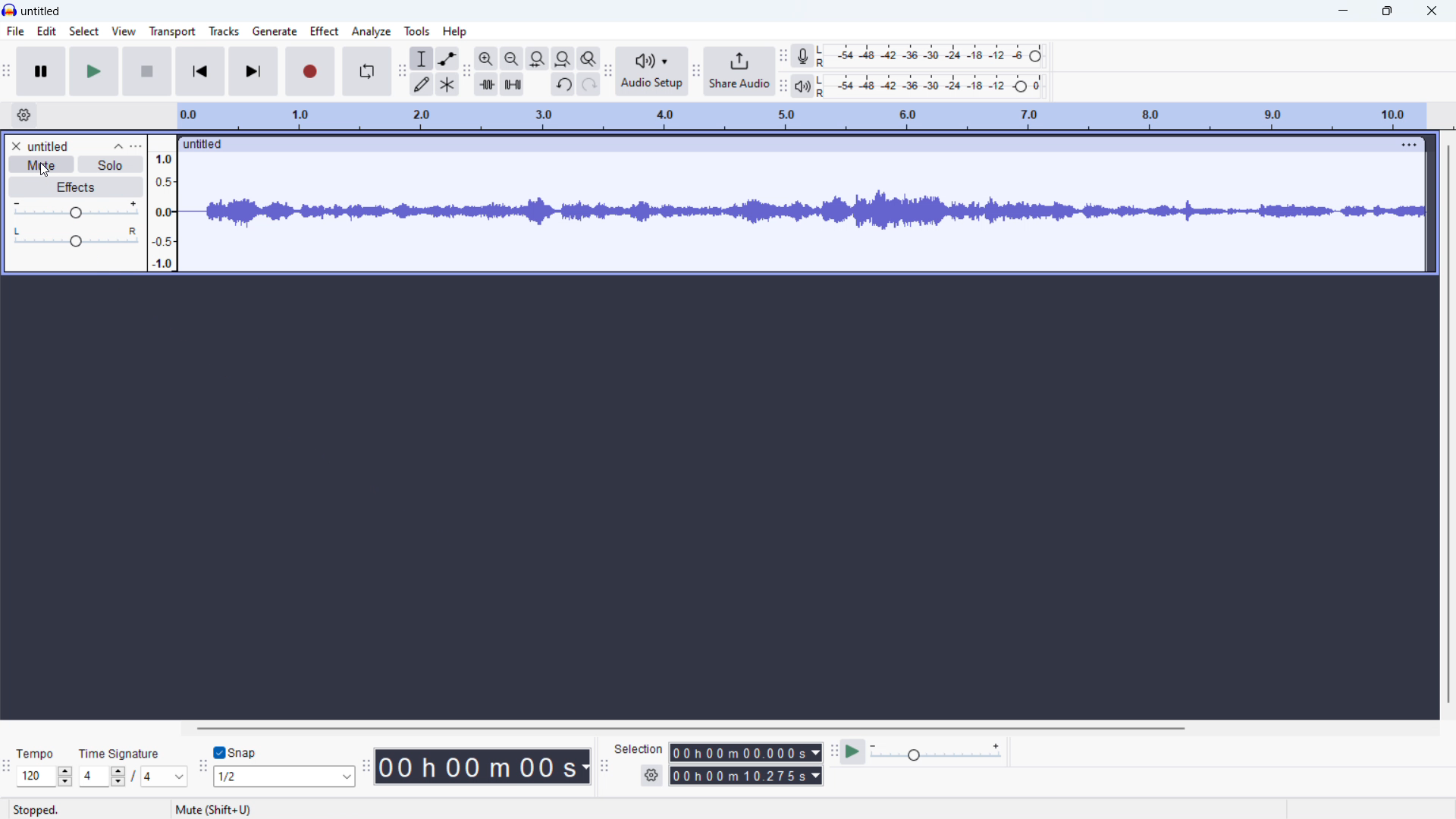  What do you see at coordinates (607, 74) in the screenshot?
I see `audio setup toolbar` at bounding box center [607, 74].